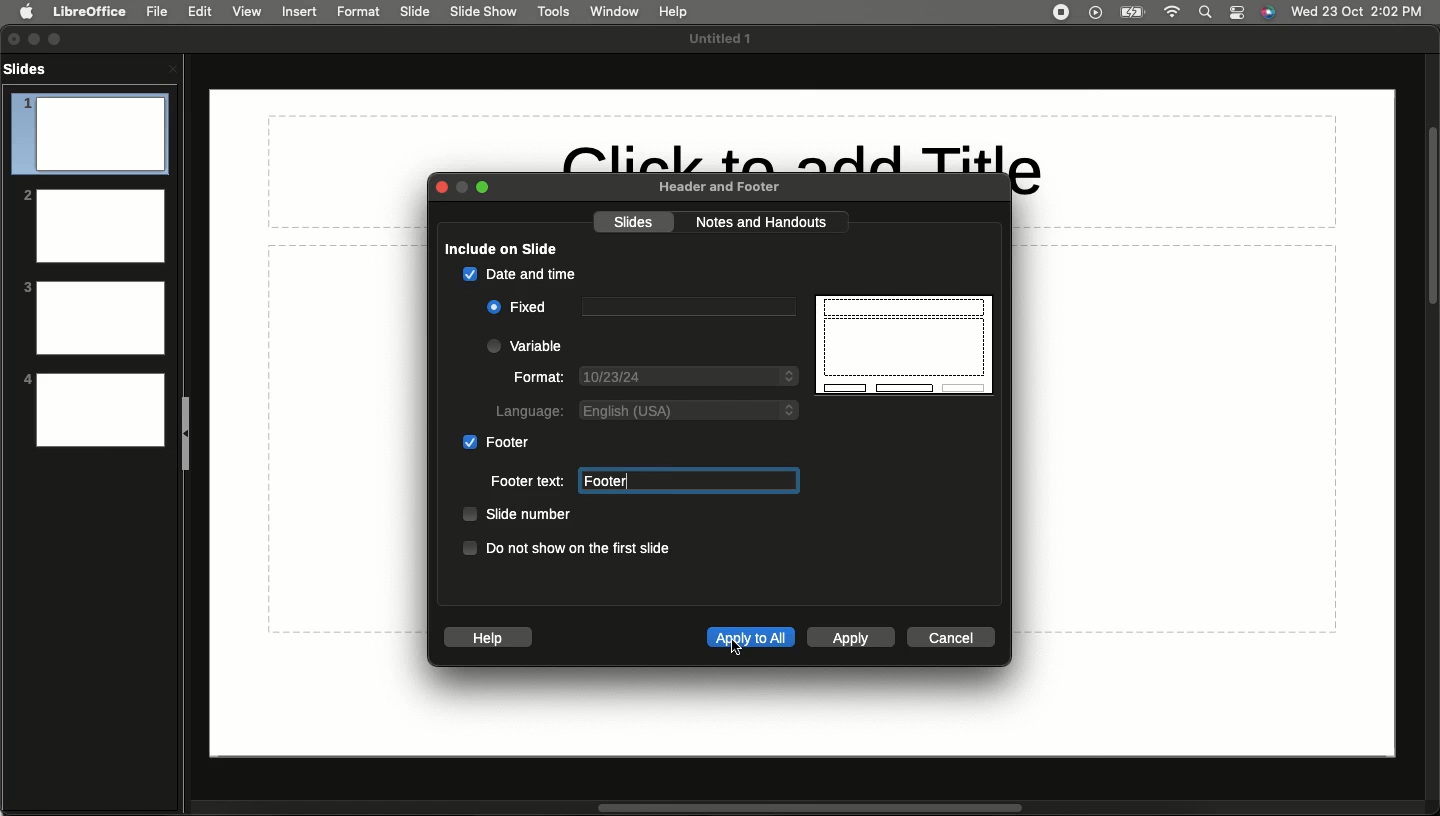  Describe the element at coordinates (688, 479) in the screenshot. I see `Footer` at that location.